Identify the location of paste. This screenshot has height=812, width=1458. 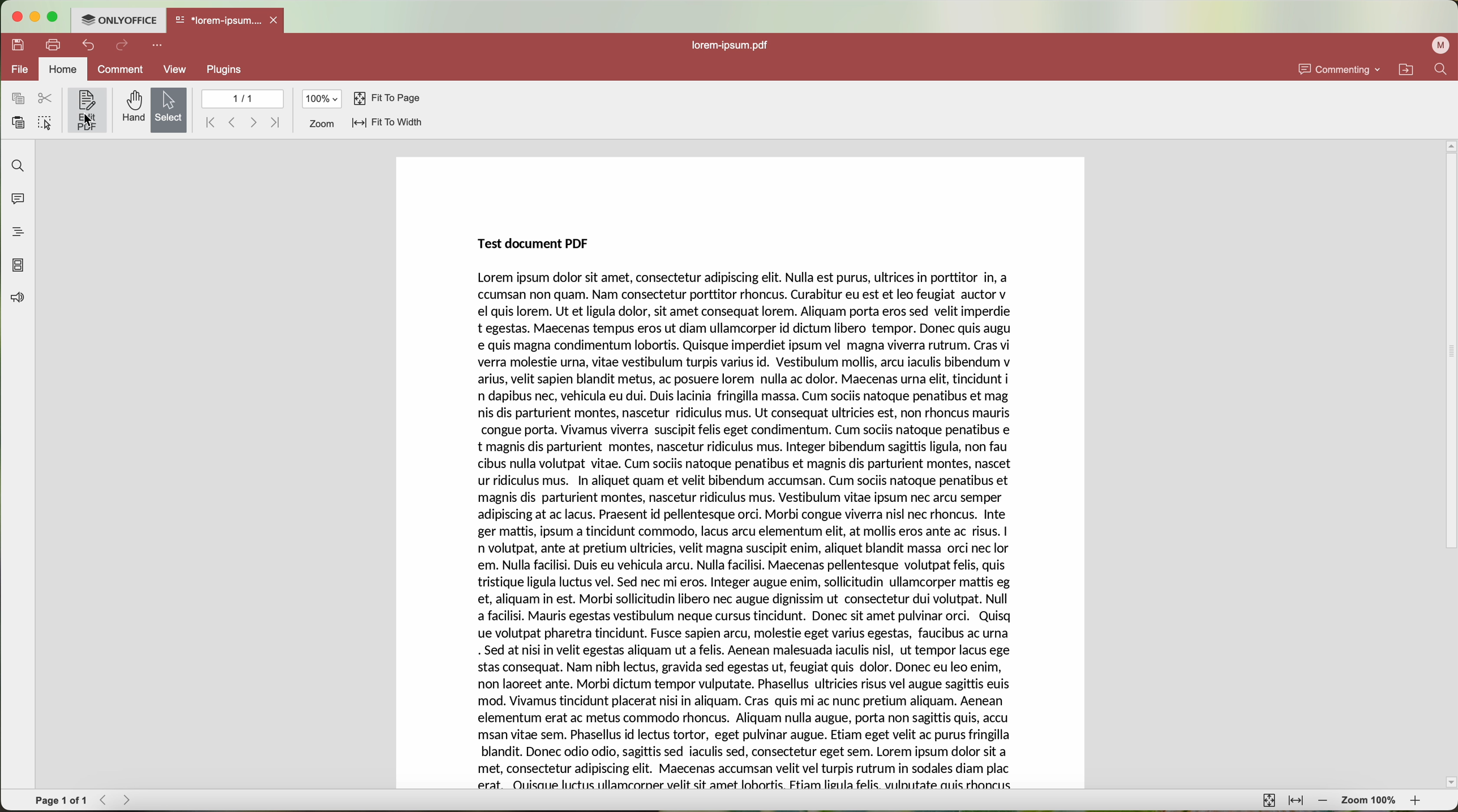
(18, 122).